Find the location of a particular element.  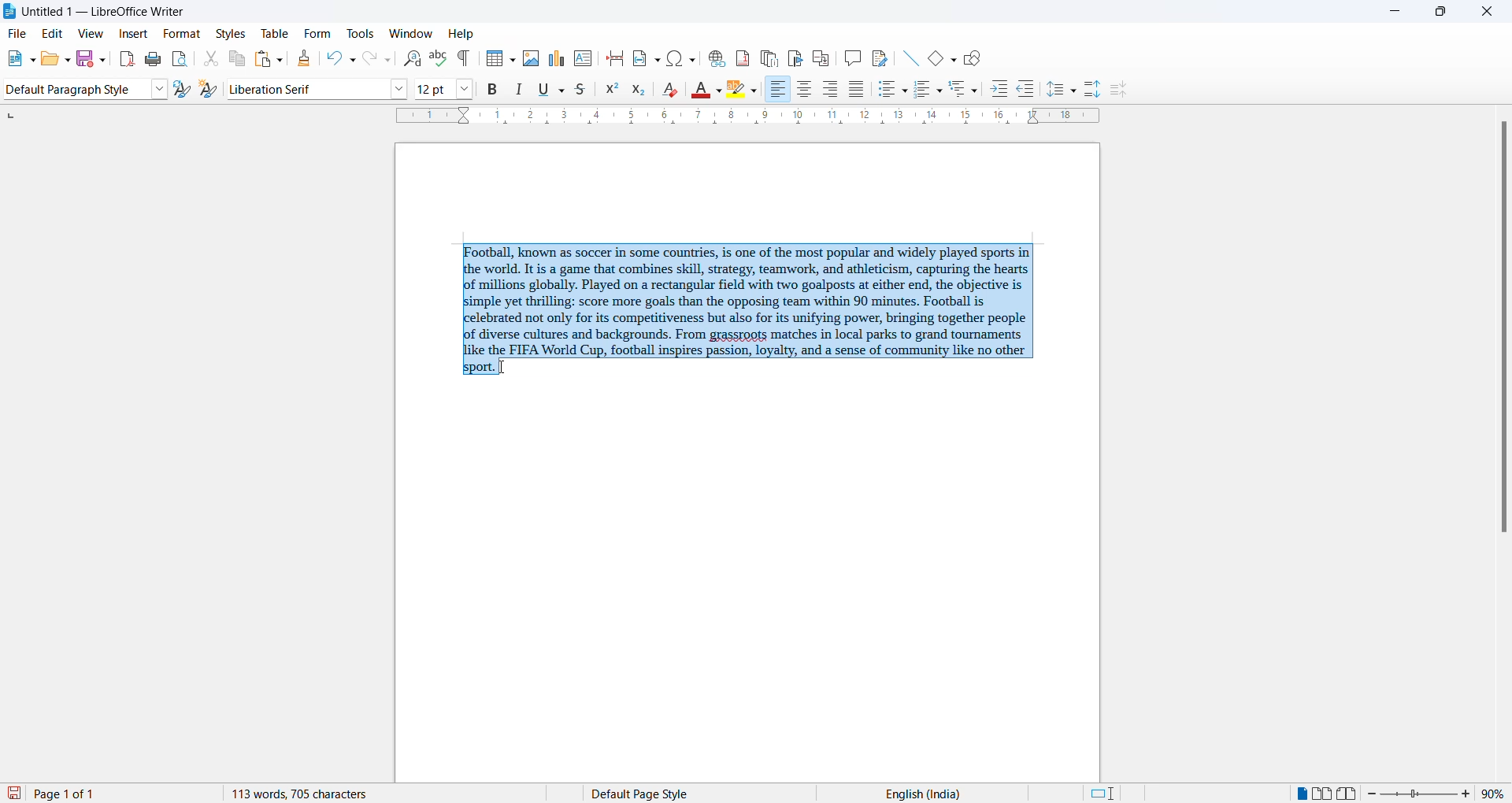

page break is located at coordinates (615, 58).